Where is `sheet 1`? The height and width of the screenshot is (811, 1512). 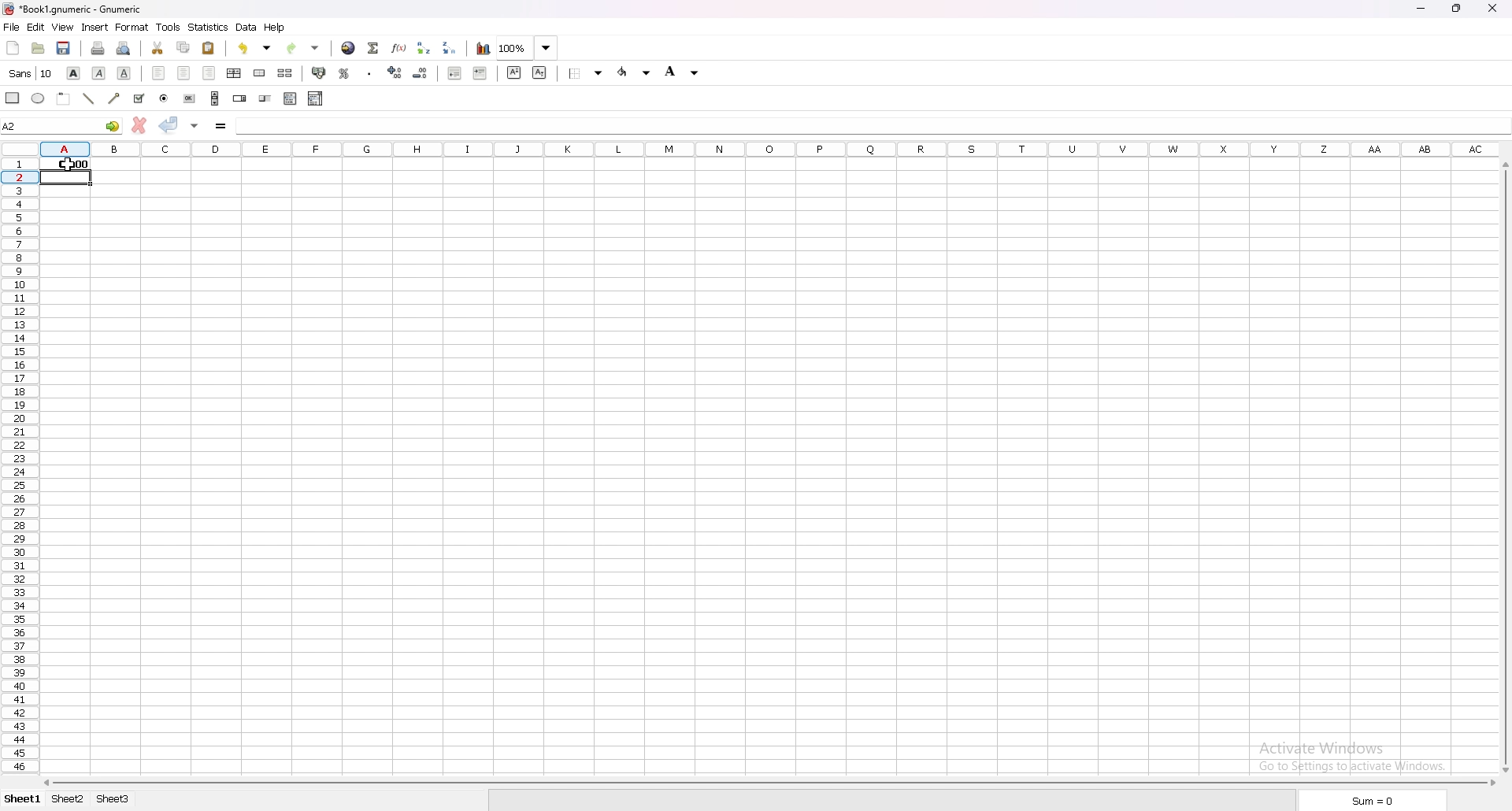 sheet 1 is located at coordinates (24, 799).